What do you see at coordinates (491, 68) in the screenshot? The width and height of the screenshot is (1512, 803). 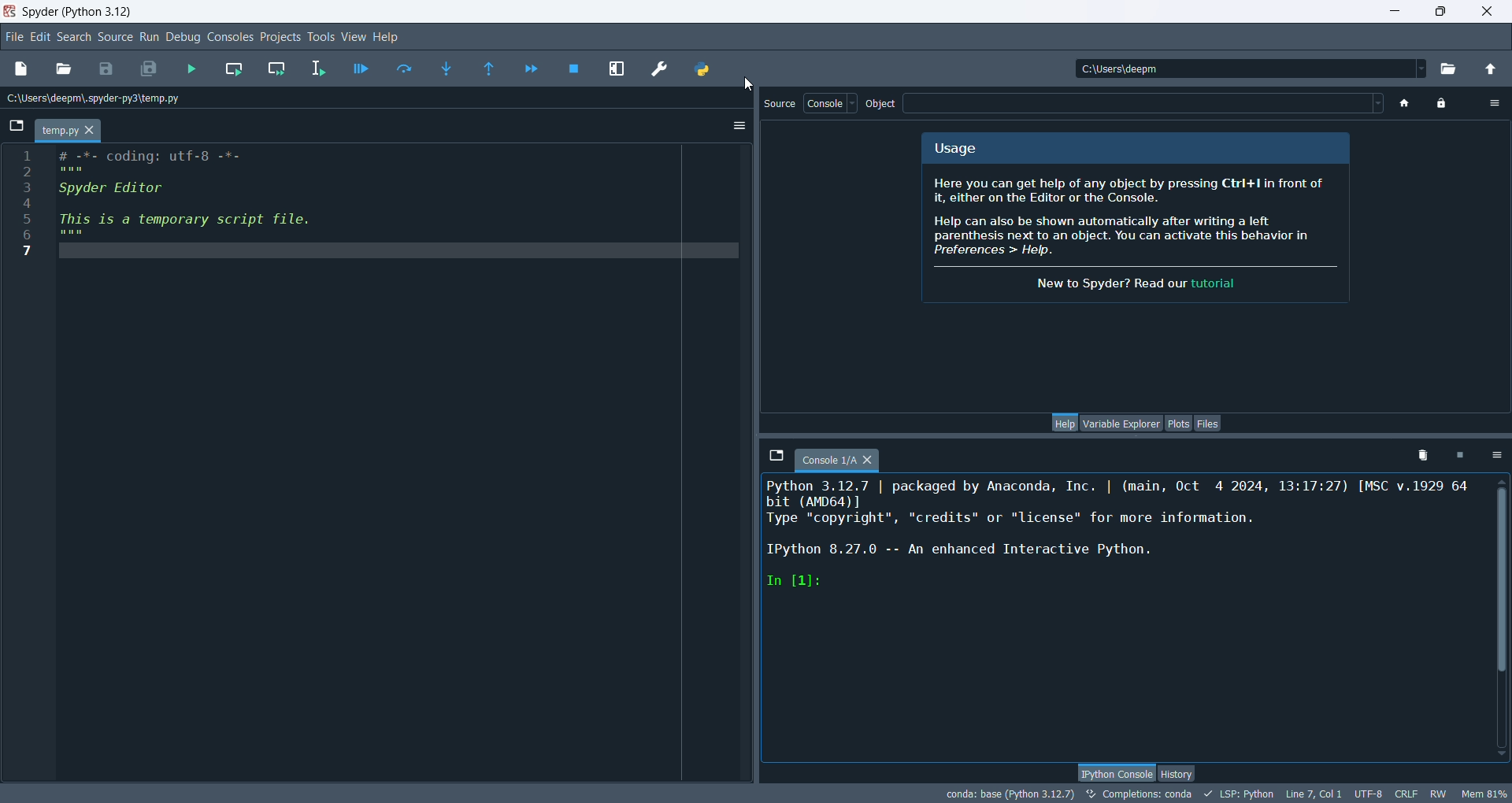 I see `run until the current function returns` at bounding box center [491, 68].